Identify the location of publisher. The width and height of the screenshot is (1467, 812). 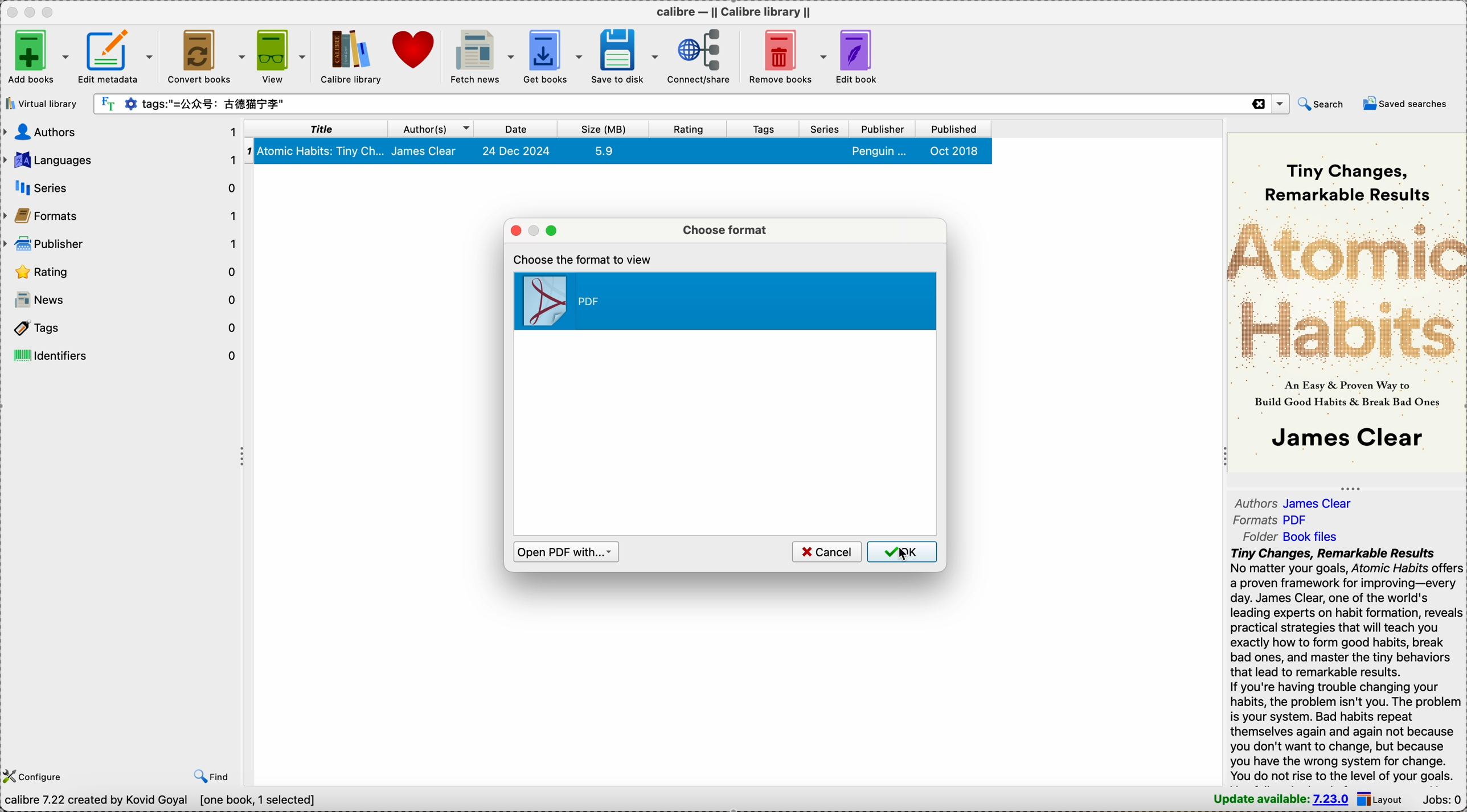
(122, 242).